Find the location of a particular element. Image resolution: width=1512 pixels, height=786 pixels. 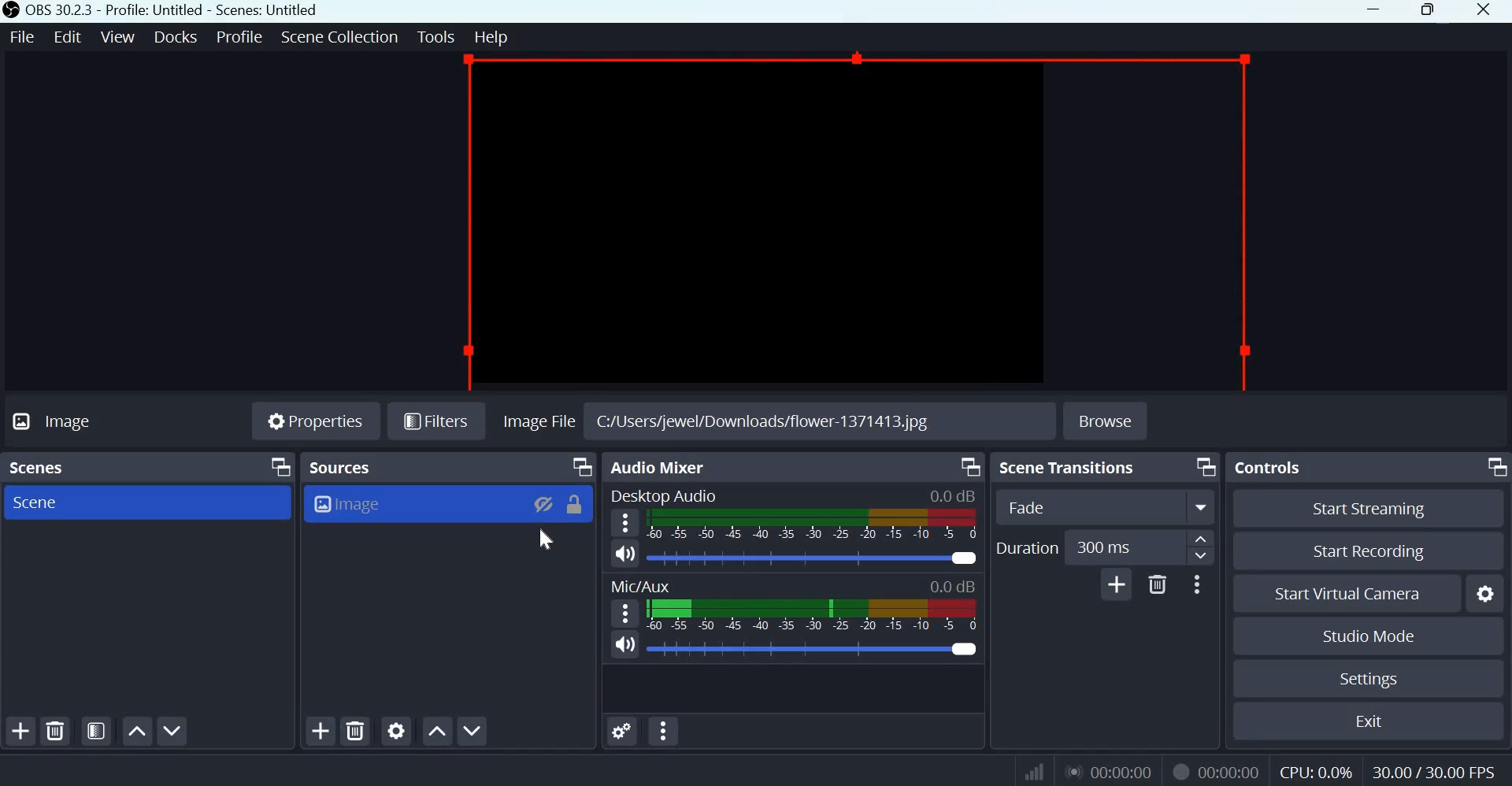

Add source(s) is located at coordinates (319, 732).